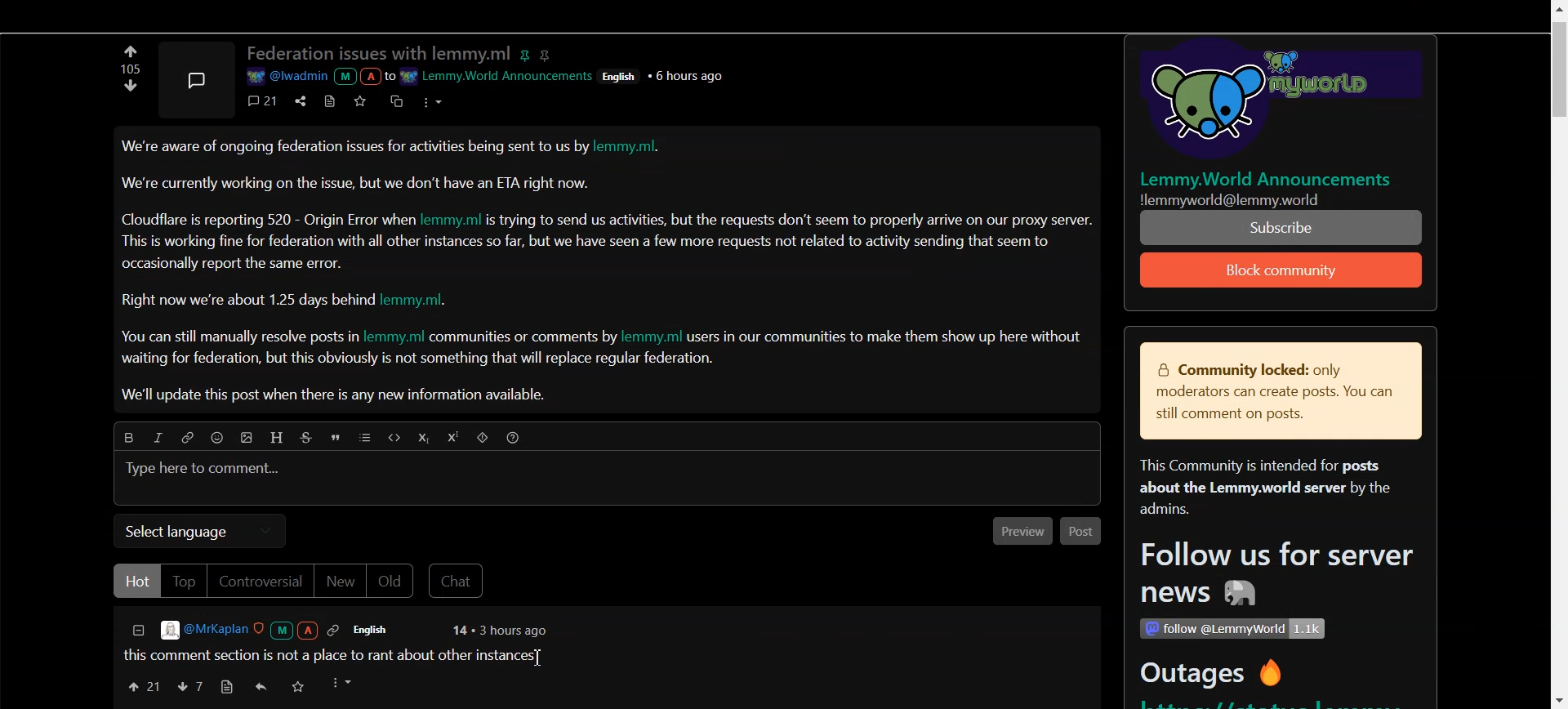  I want to click on share, so click(298, 100).